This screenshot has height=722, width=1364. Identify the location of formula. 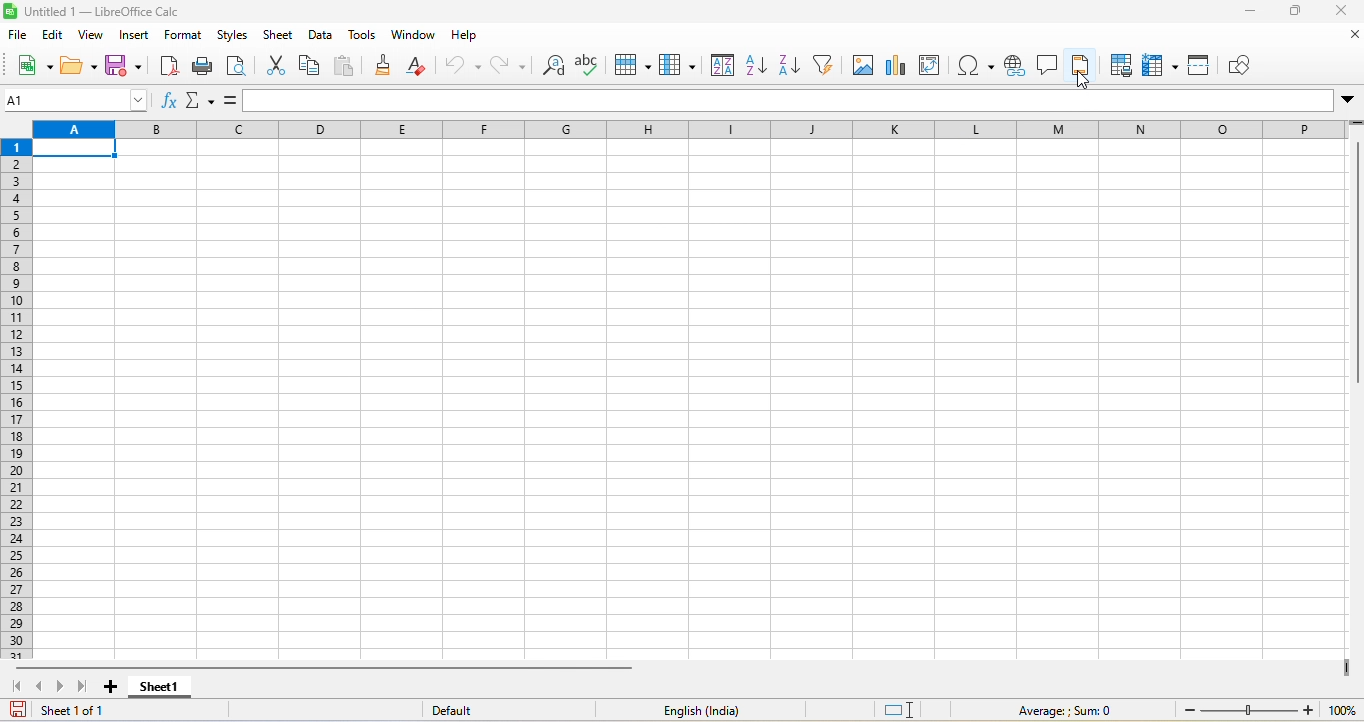
(231, 99).